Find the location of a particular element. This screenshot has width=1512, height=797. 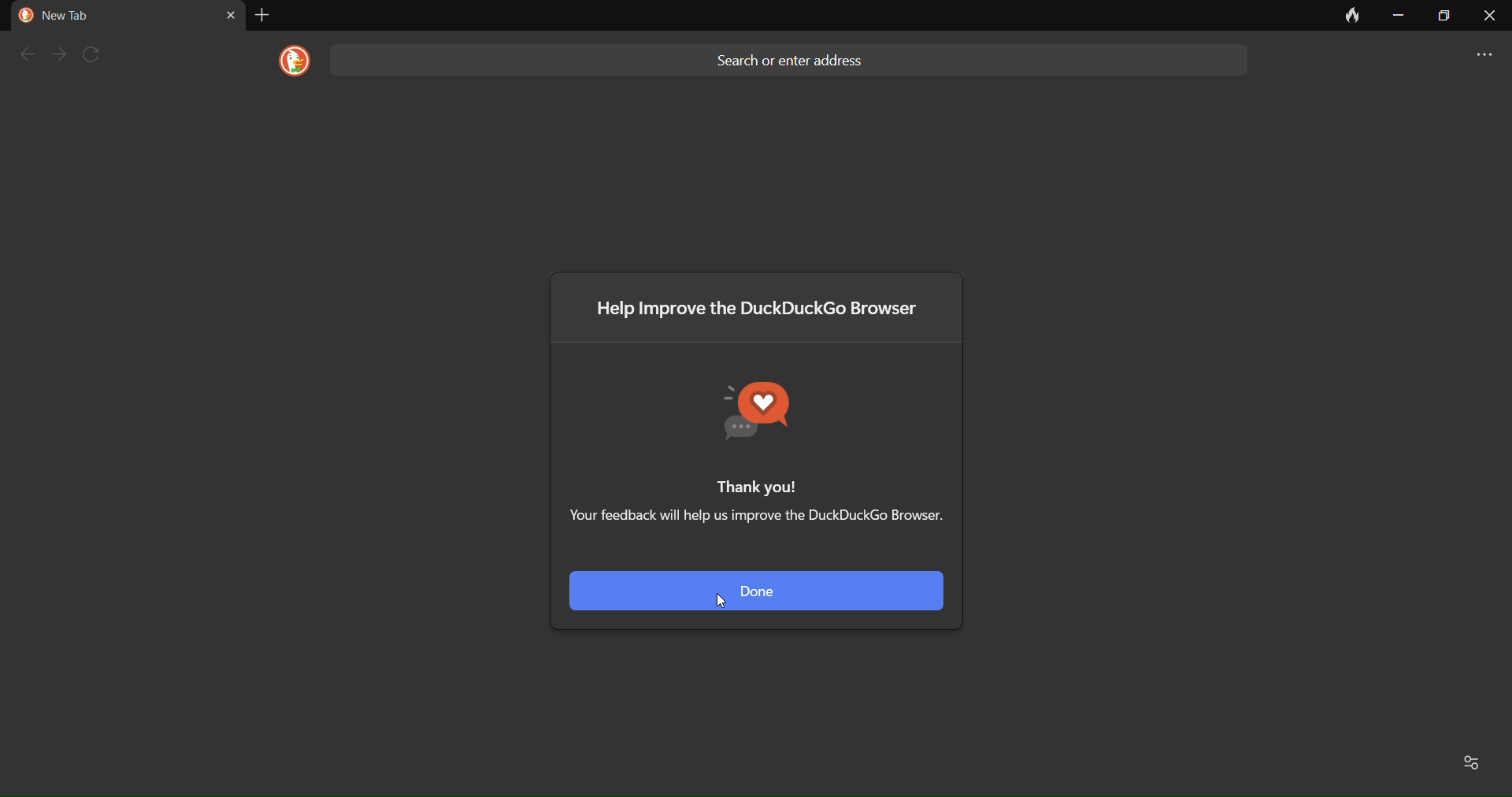

Help improve the DuckDuckGo browser is located at coordinates (762, 313).